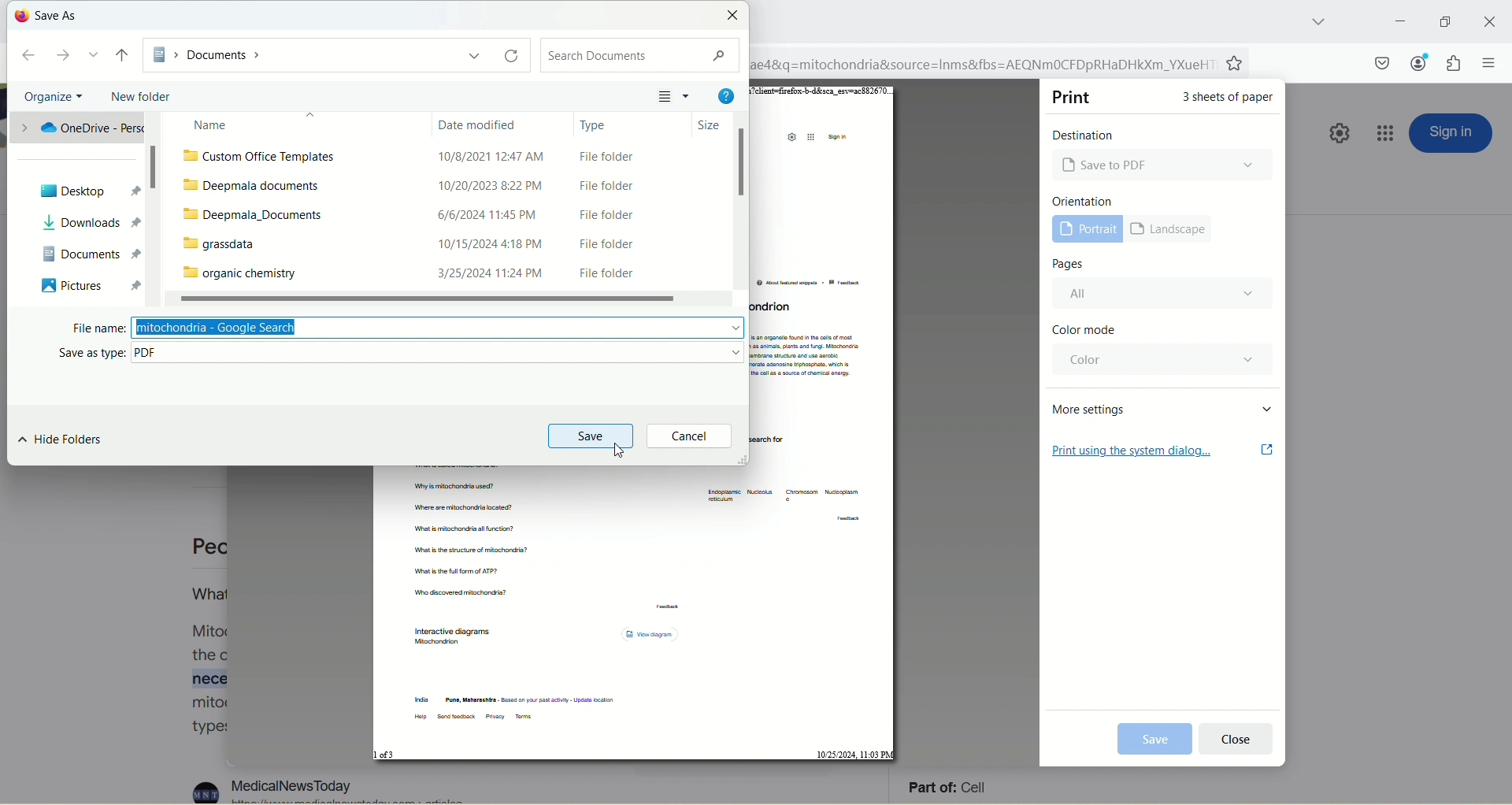 The image size is (1512, 805). Describe the element at coordinates (1336, 136) in the screenshot. I see `quick setting` at that location.